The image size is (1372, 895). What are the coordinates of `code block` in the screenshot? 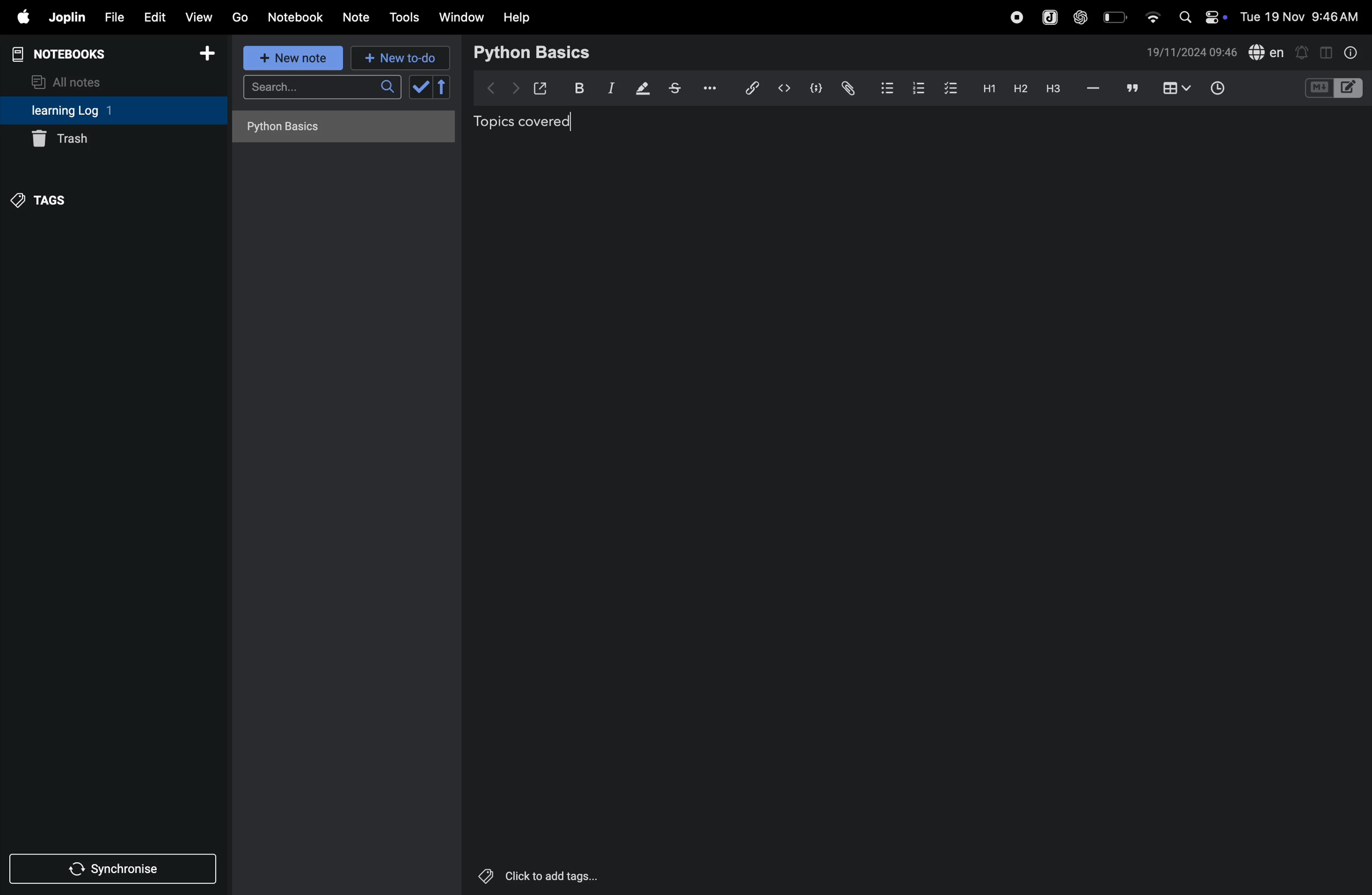 It's located at (1333, 89).